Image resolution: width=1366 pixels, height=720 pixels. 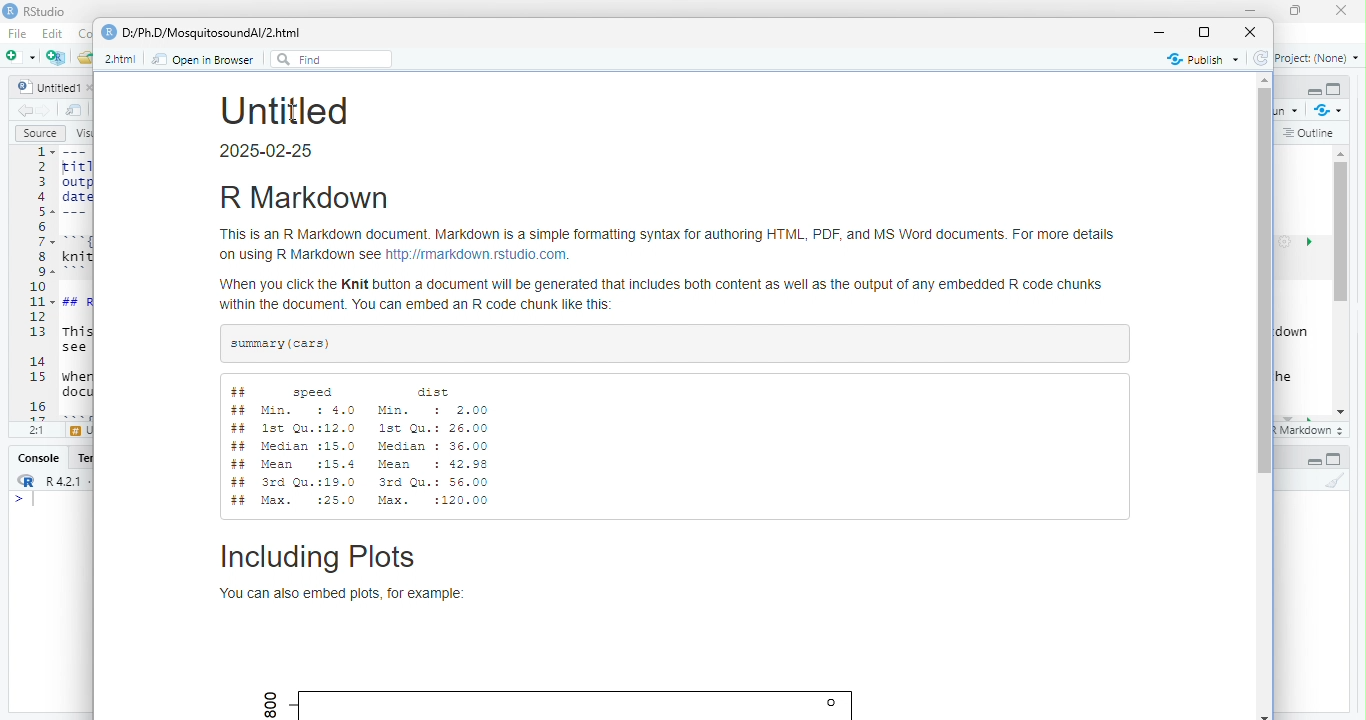 What do you see at coordinates (834, 703) in the screenshot?
I see `0` at bounding box center [834, 703].